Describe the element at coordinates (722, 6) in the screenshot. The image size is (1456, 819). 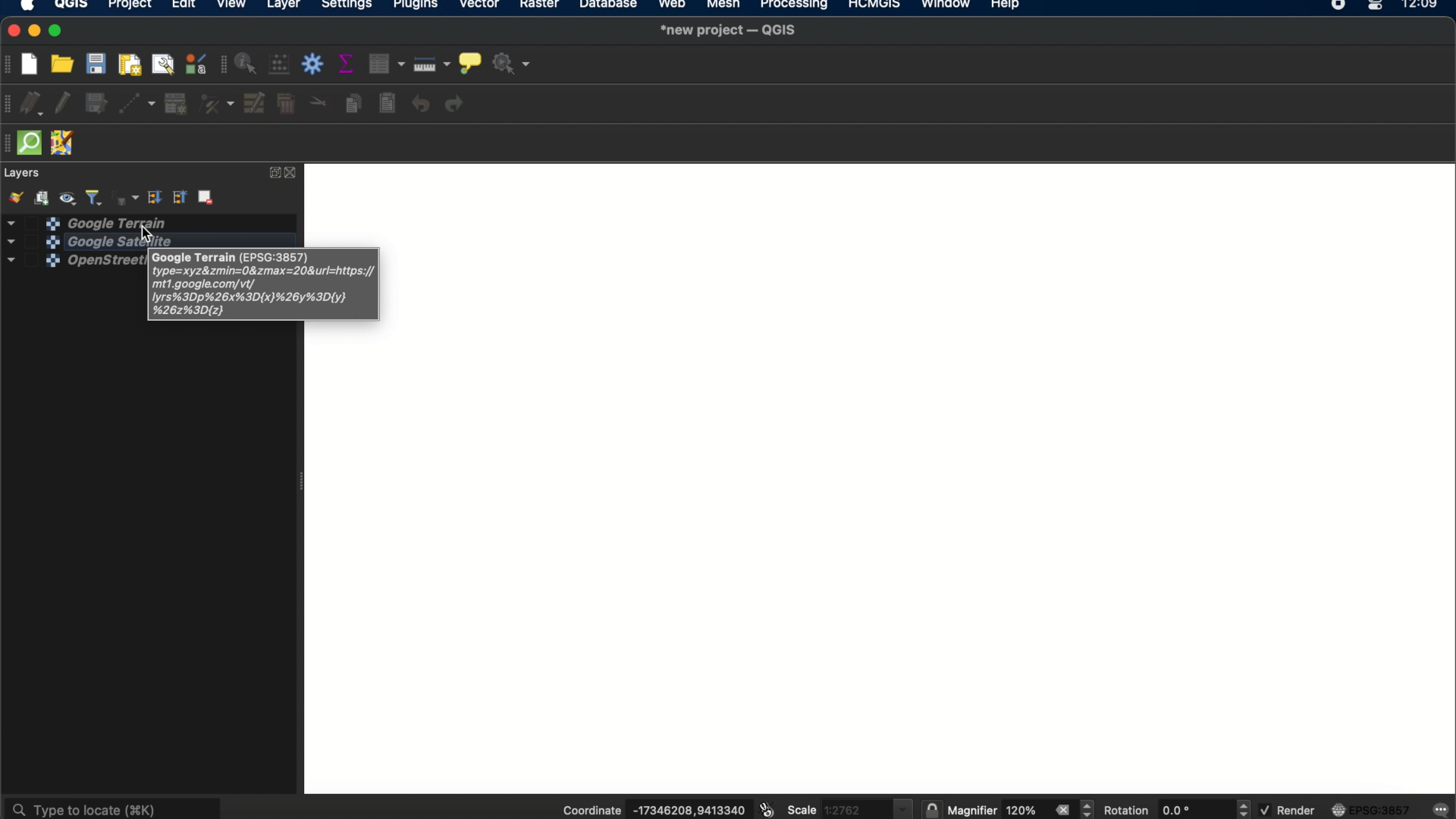
I see `mesh` at that location.